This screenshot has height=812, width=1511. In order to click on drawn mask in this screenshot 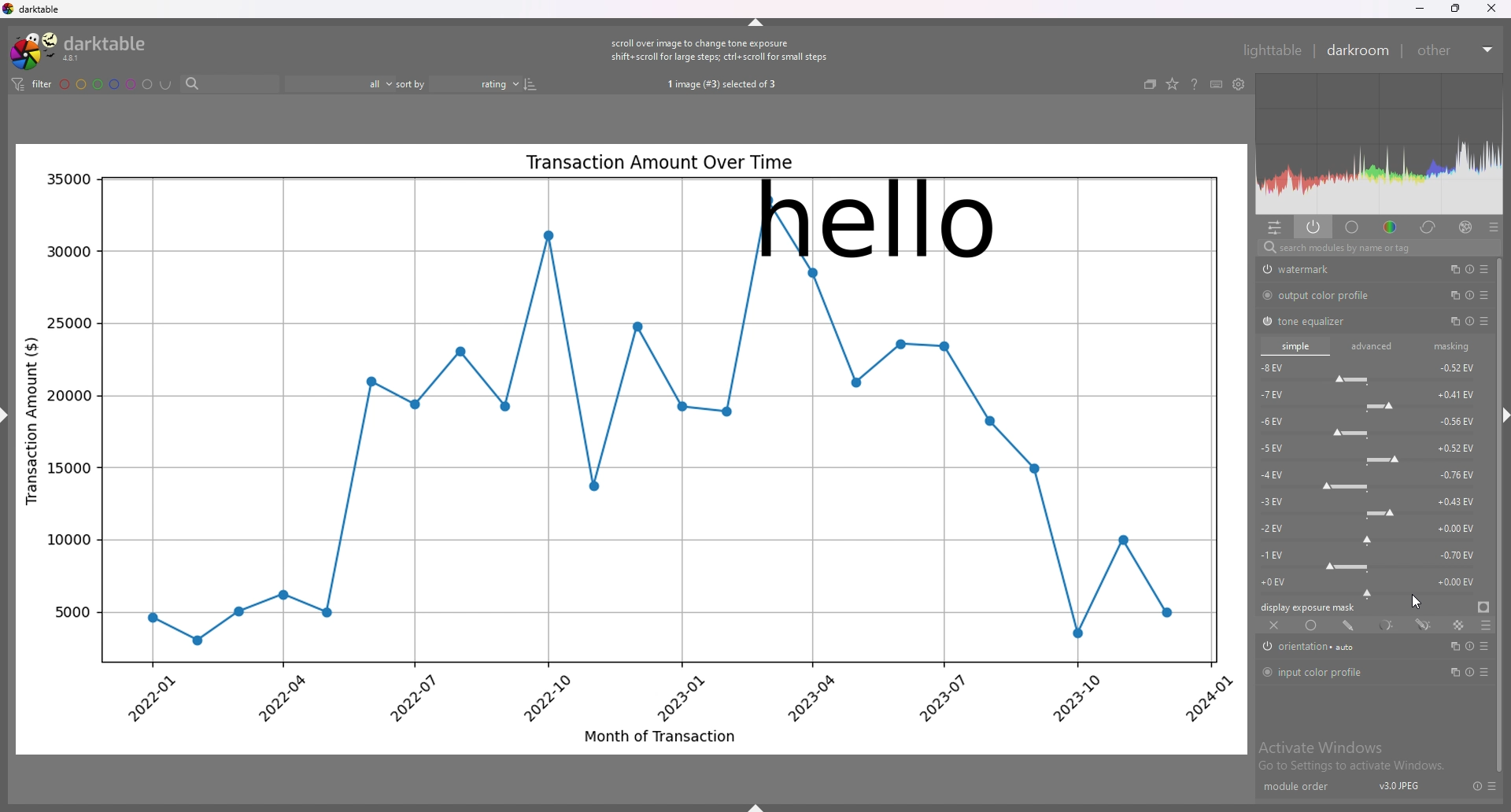, I will do `click(1350, 626)`.